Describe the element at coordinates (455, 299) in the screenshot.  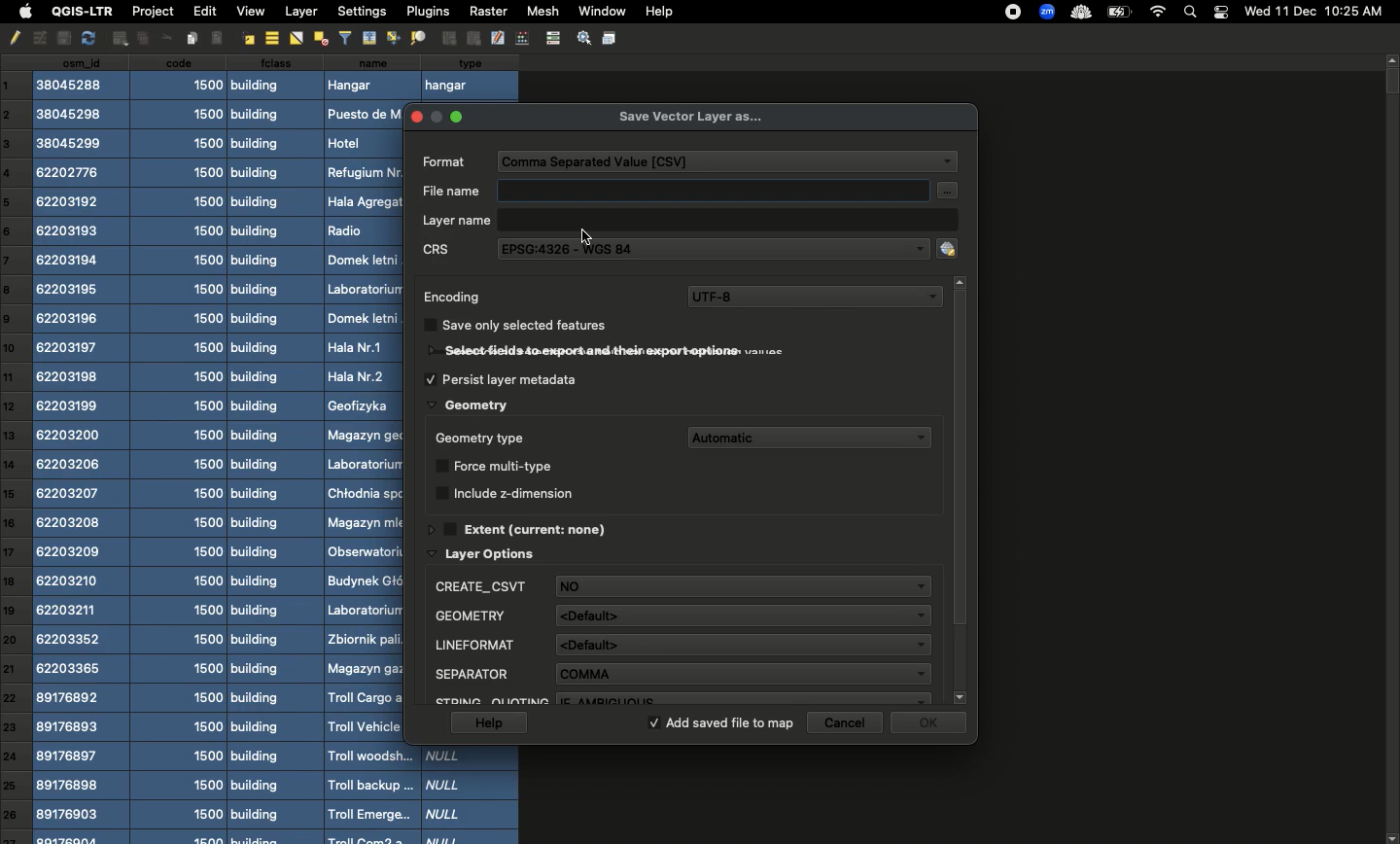
I see `Encoding` at that location.